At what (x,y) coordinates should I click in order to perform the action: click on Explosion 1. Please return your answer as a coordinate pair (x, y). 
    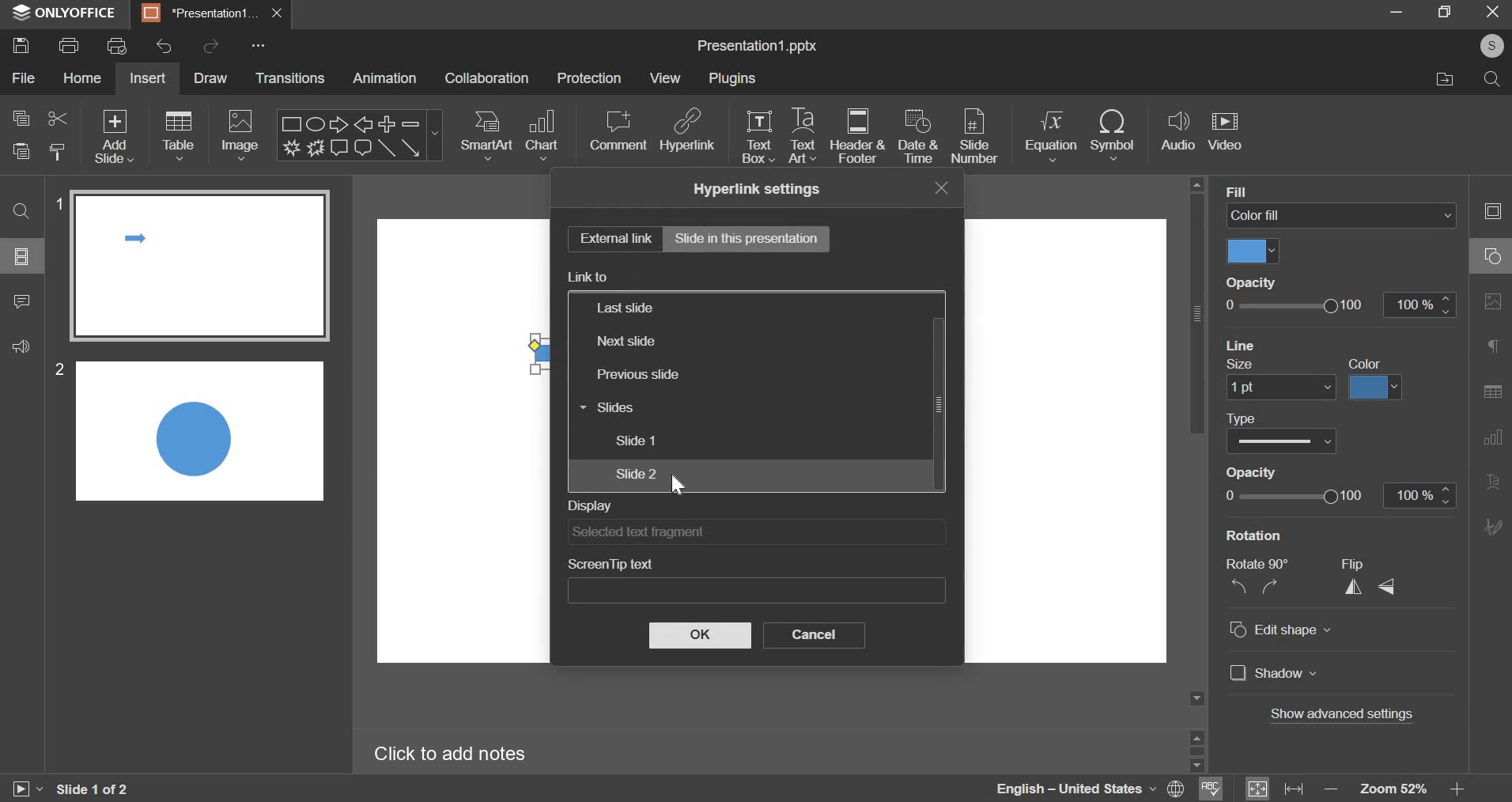
    Looking at the image, I should click on (290, 147).